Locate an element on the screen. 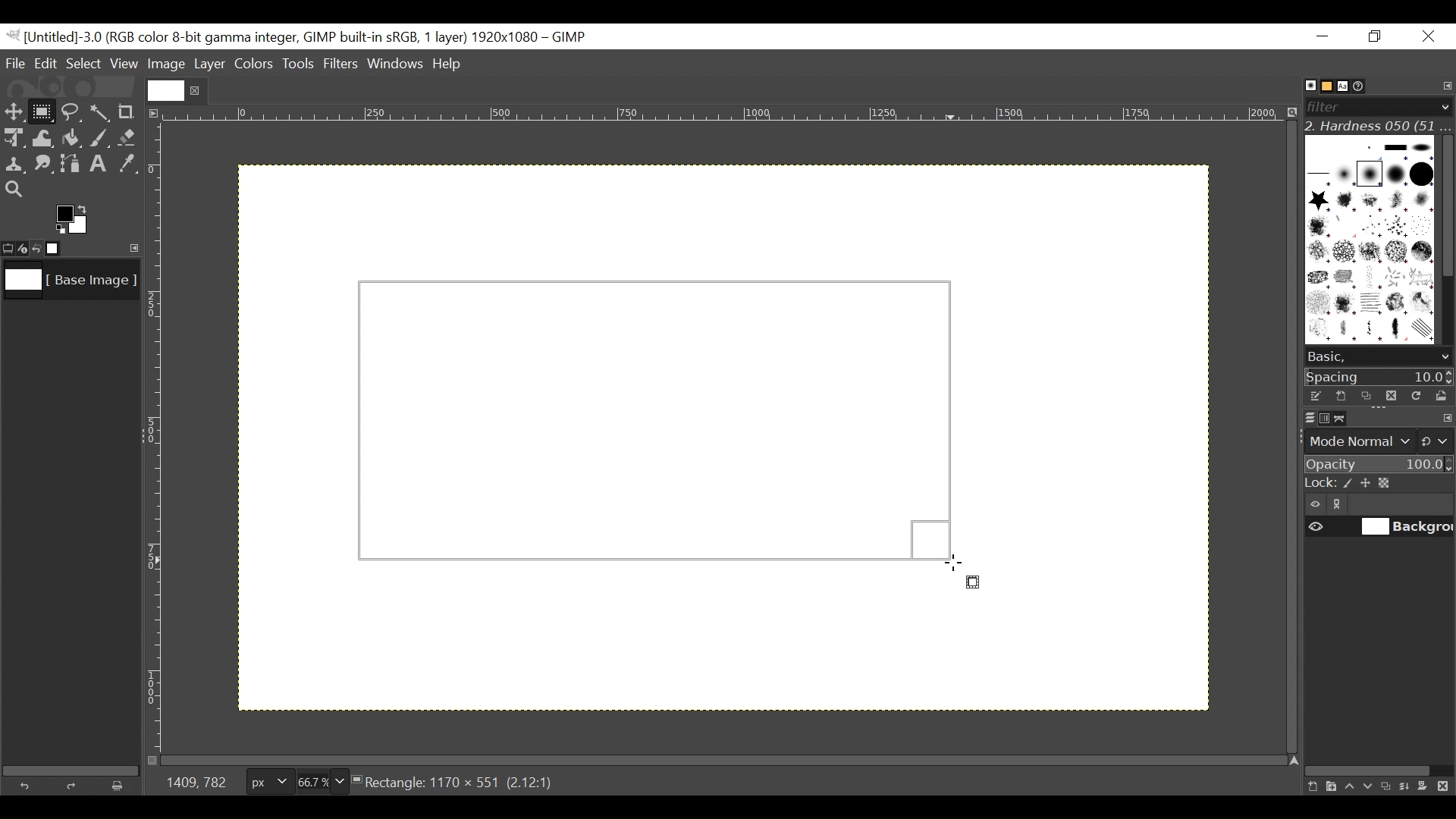 This screenshot has width=1456, height=819. Create a new layer is located at coordinates (1330, 786).